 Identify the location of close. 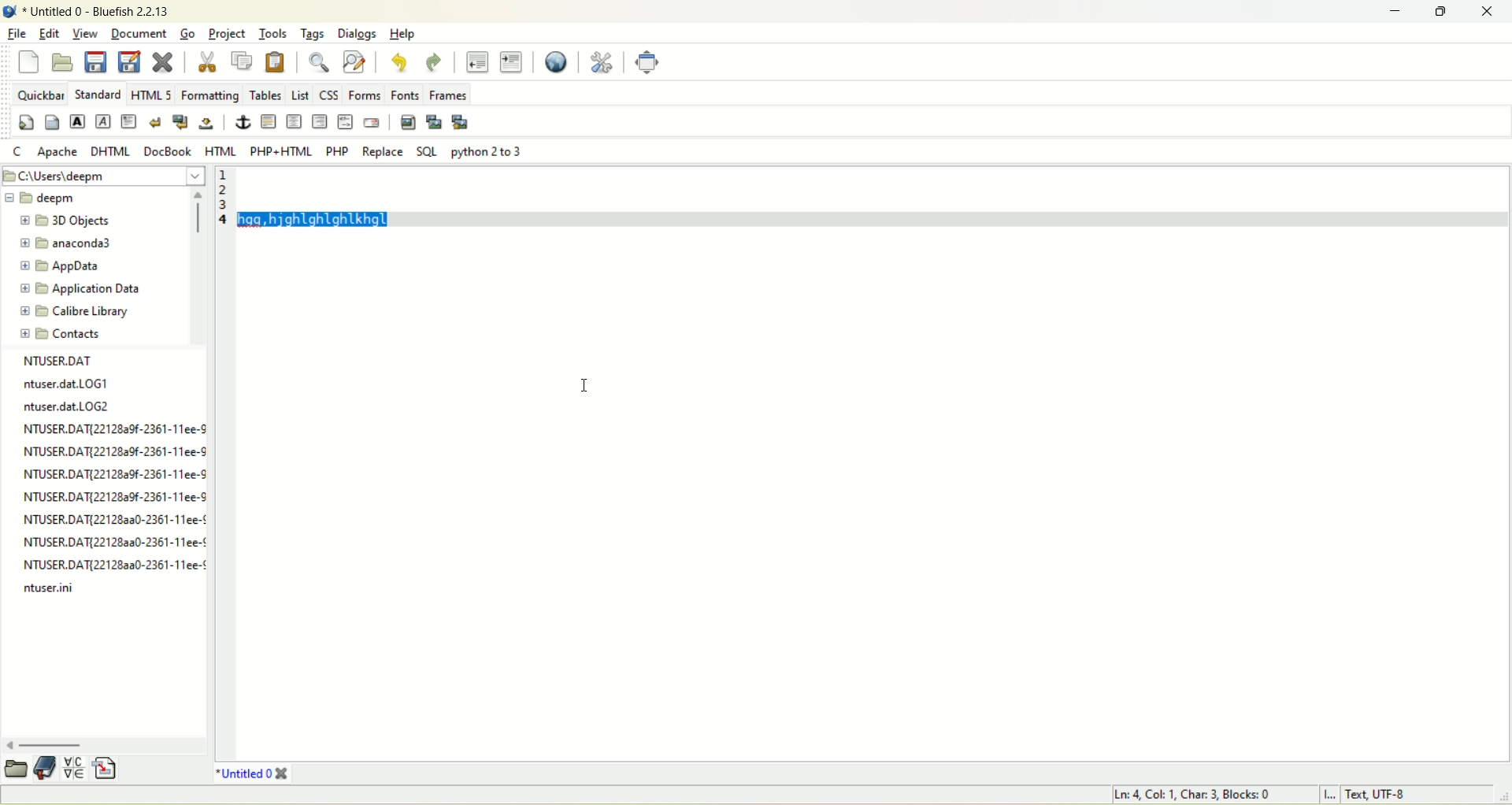
(284, 773).